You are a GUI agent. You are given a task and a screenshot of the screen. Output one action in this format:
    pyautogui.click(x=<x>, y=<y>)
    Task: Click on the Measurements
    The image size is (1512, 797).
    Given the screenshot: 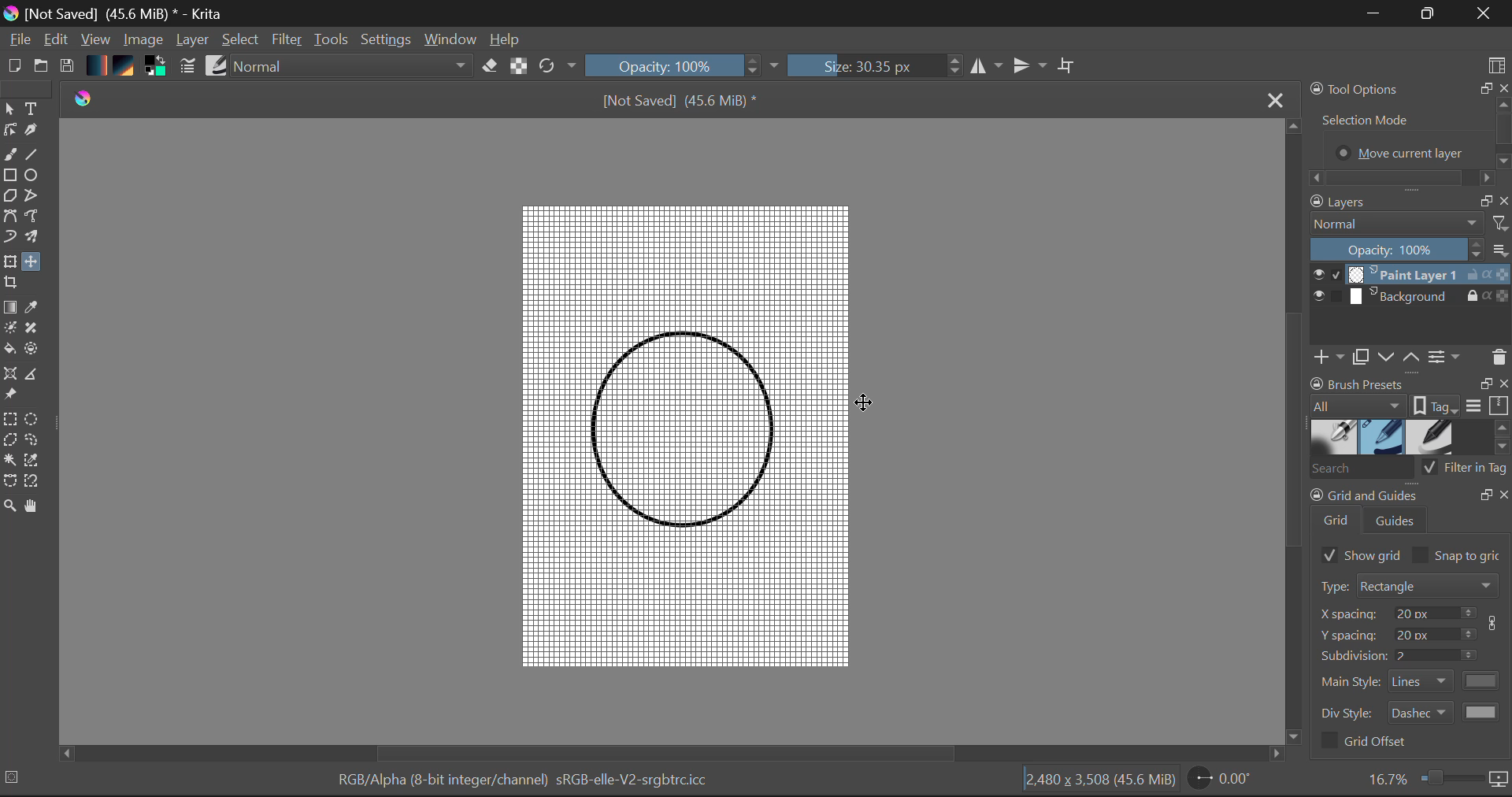 What is the action you would take?
    pyautogui.click(x=37, y=375)
    